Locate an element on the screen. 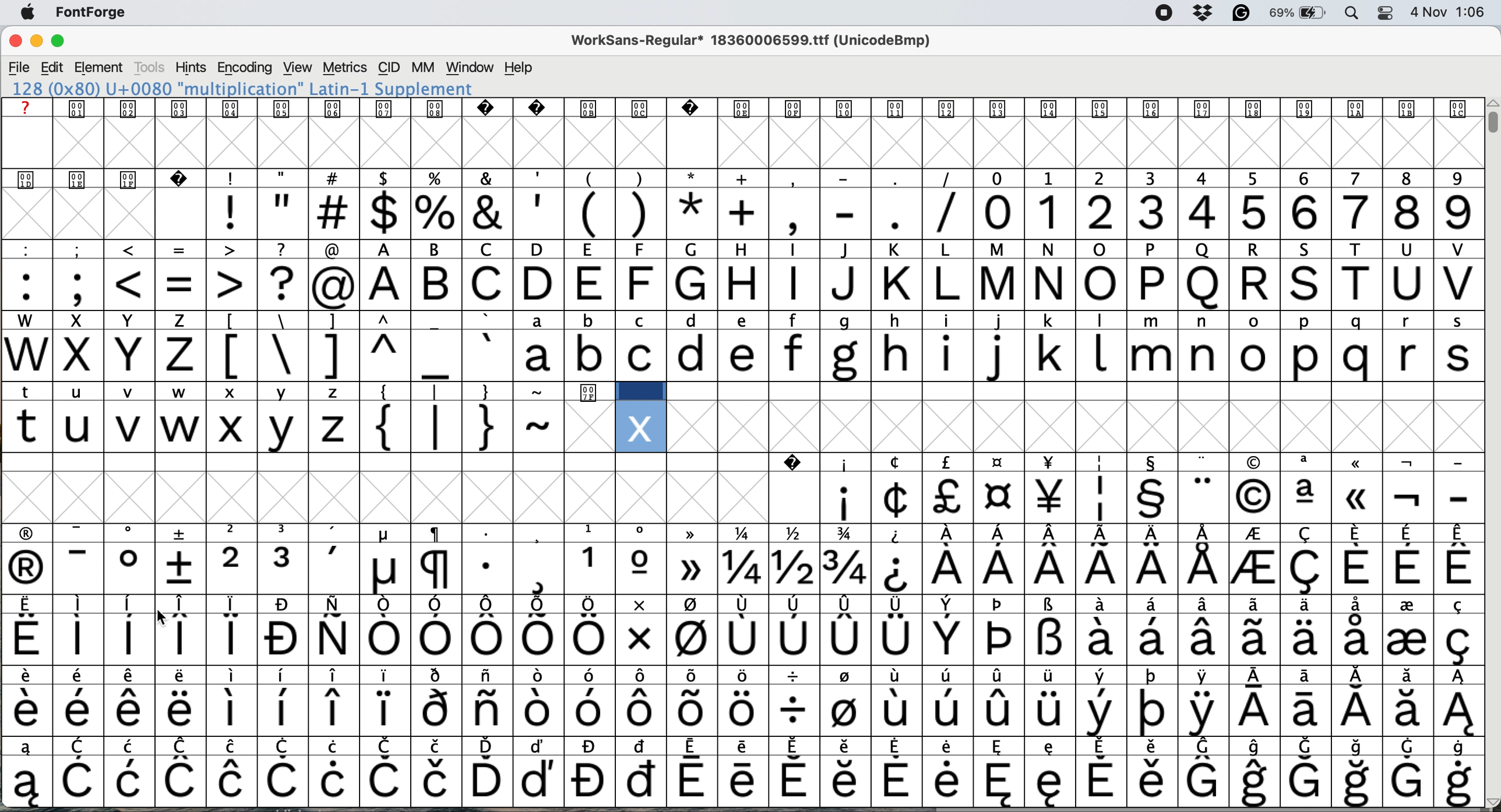 This screenshot has width=1501, height=812. special characters is located at coordinates (745, 745).